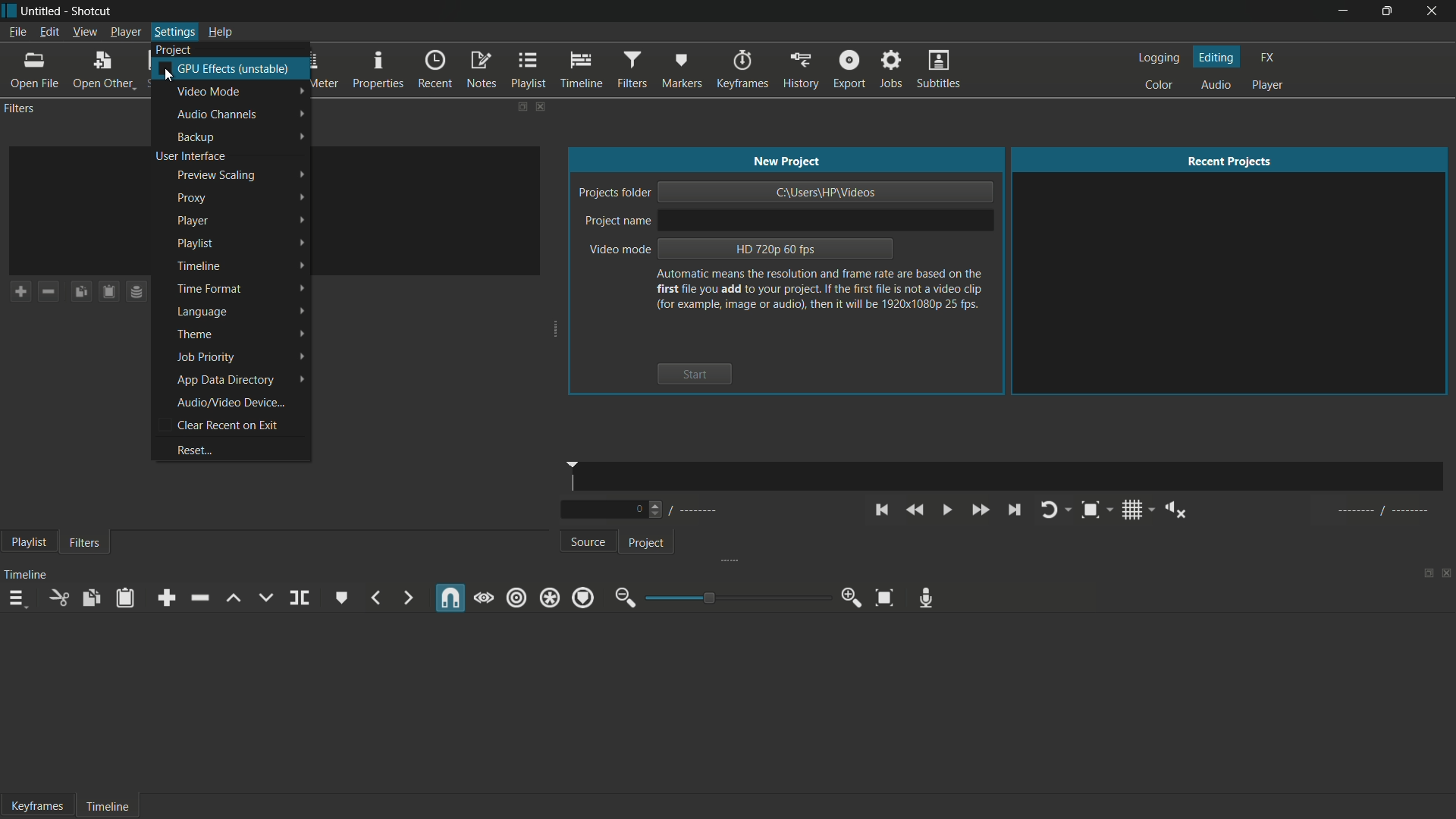 The width and height of the screenshot is (1456, 819). Describe the element at coordinates (1047, 510) in the screenshot. I see `toggle player looping` at that location.